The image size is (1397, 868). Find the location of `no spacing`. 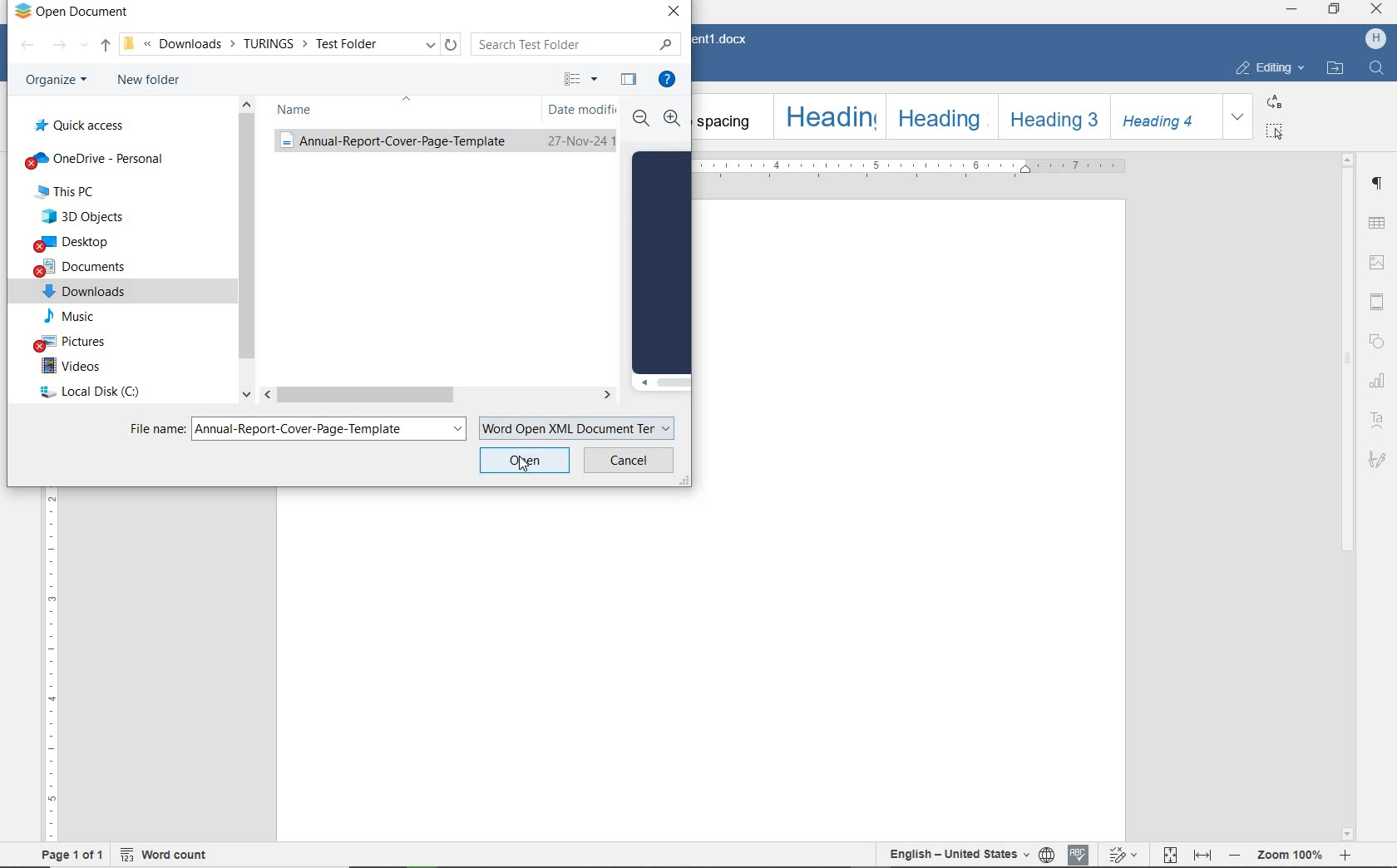

no spacing is located at coordinates (729, 116).